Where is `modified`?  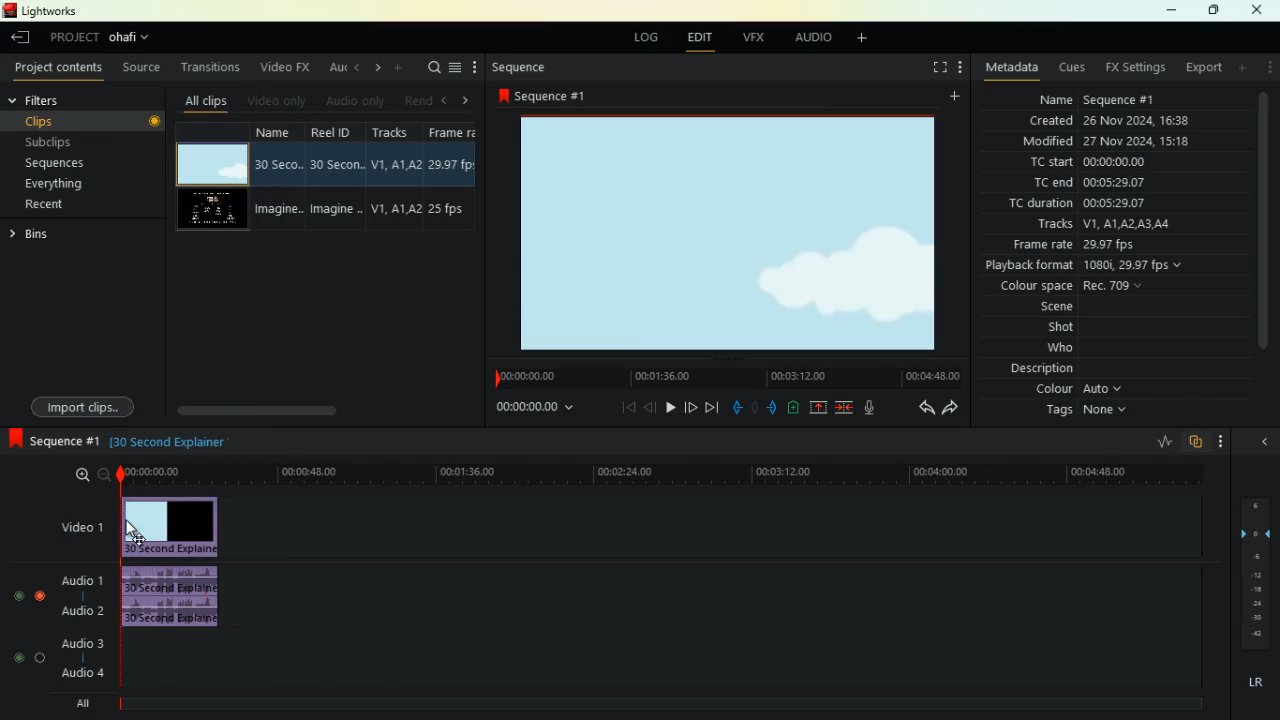
modified is located at coordinates (1102, 142).